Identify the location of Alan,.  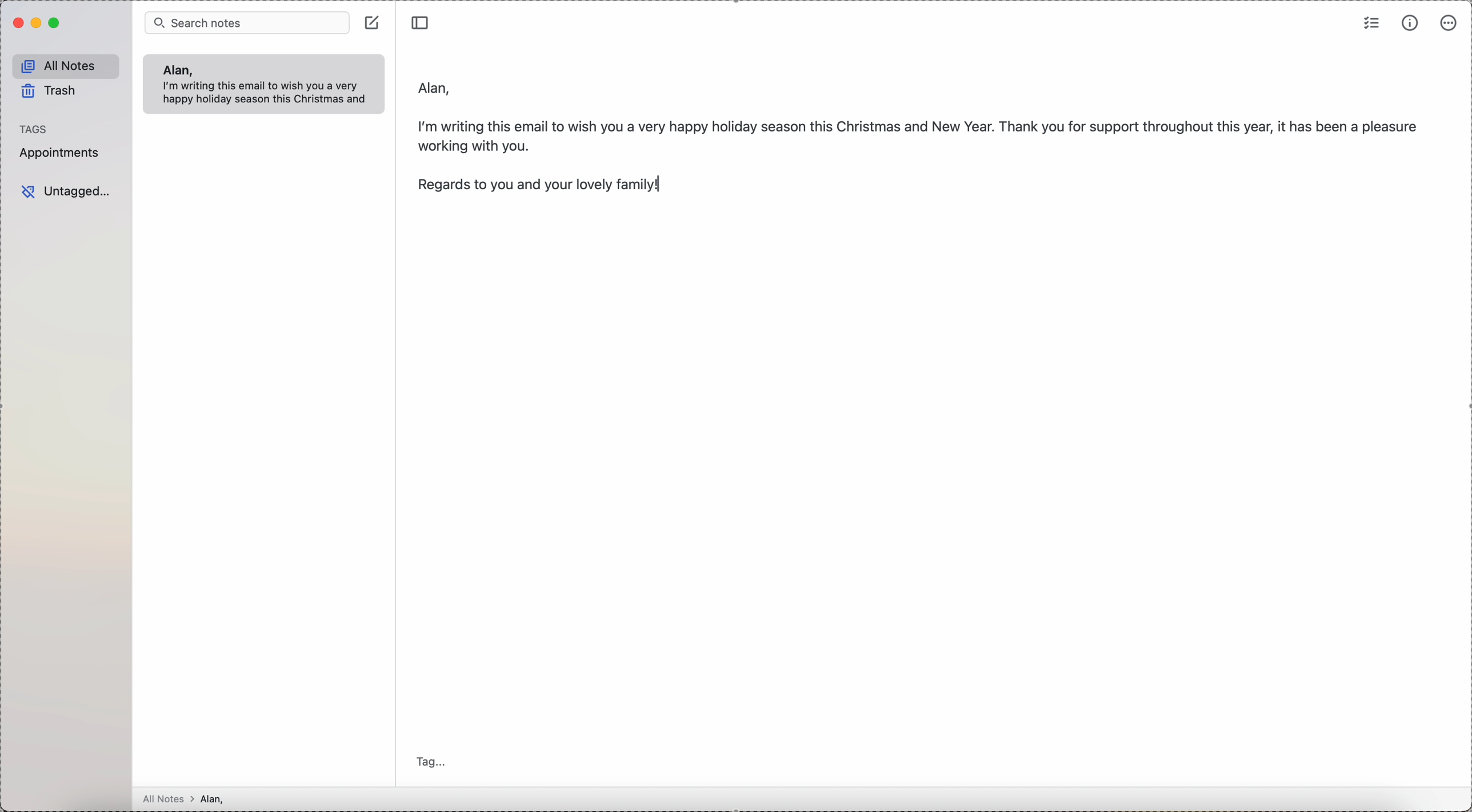
(435, 85).